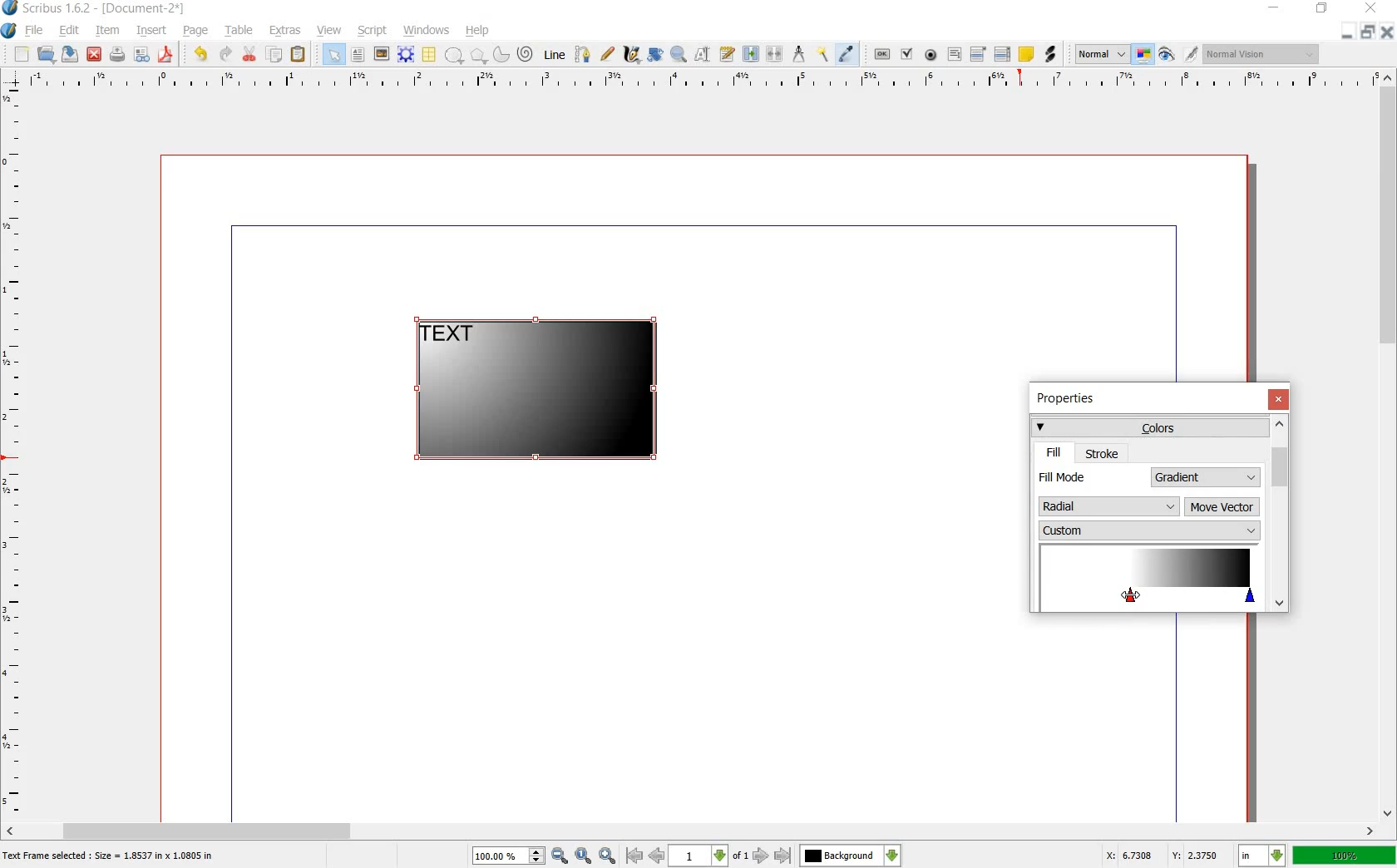 The width and height of the screenshot is (1397, 868). What do you see at coordinates (954, 54) in the screenshot?
I see `pdf text field` at bounding box center [954, 54].